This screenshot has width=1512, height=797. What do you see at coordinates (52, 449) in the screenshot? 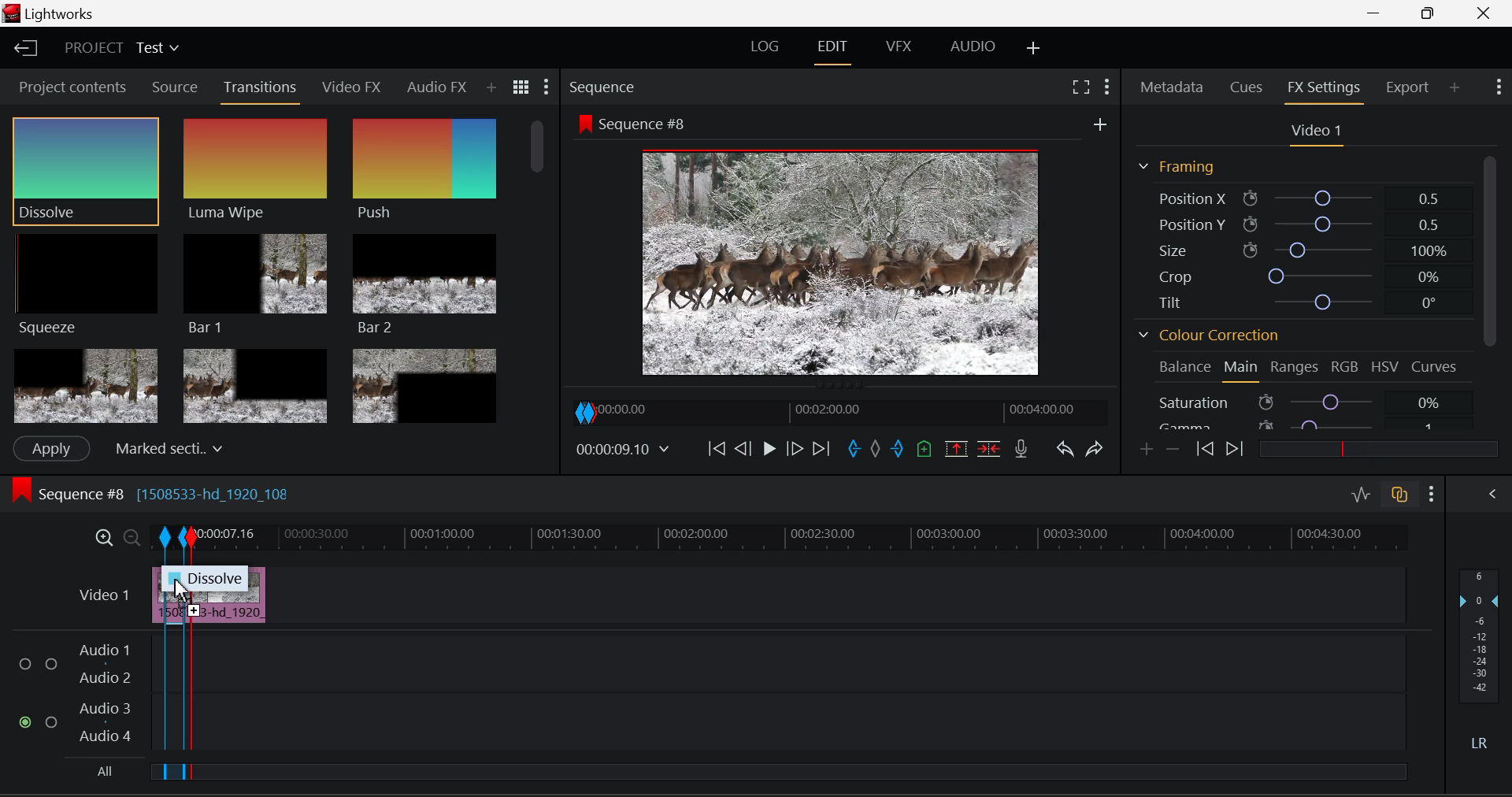
I see `Apply` at bounding box center [52, 449].